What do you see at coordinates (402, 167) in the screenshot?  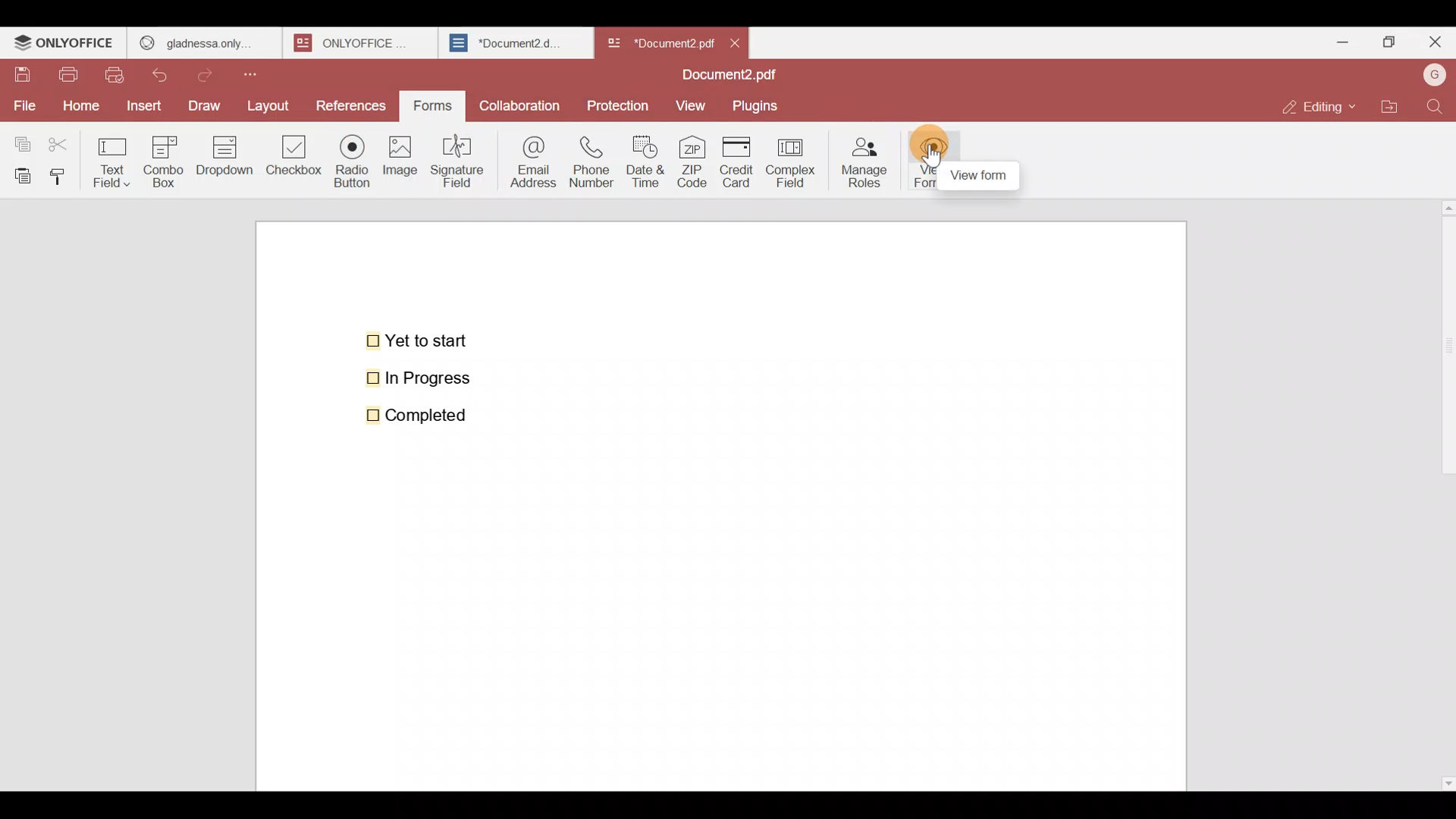 I see `Image` at bounding box center [402, 167].